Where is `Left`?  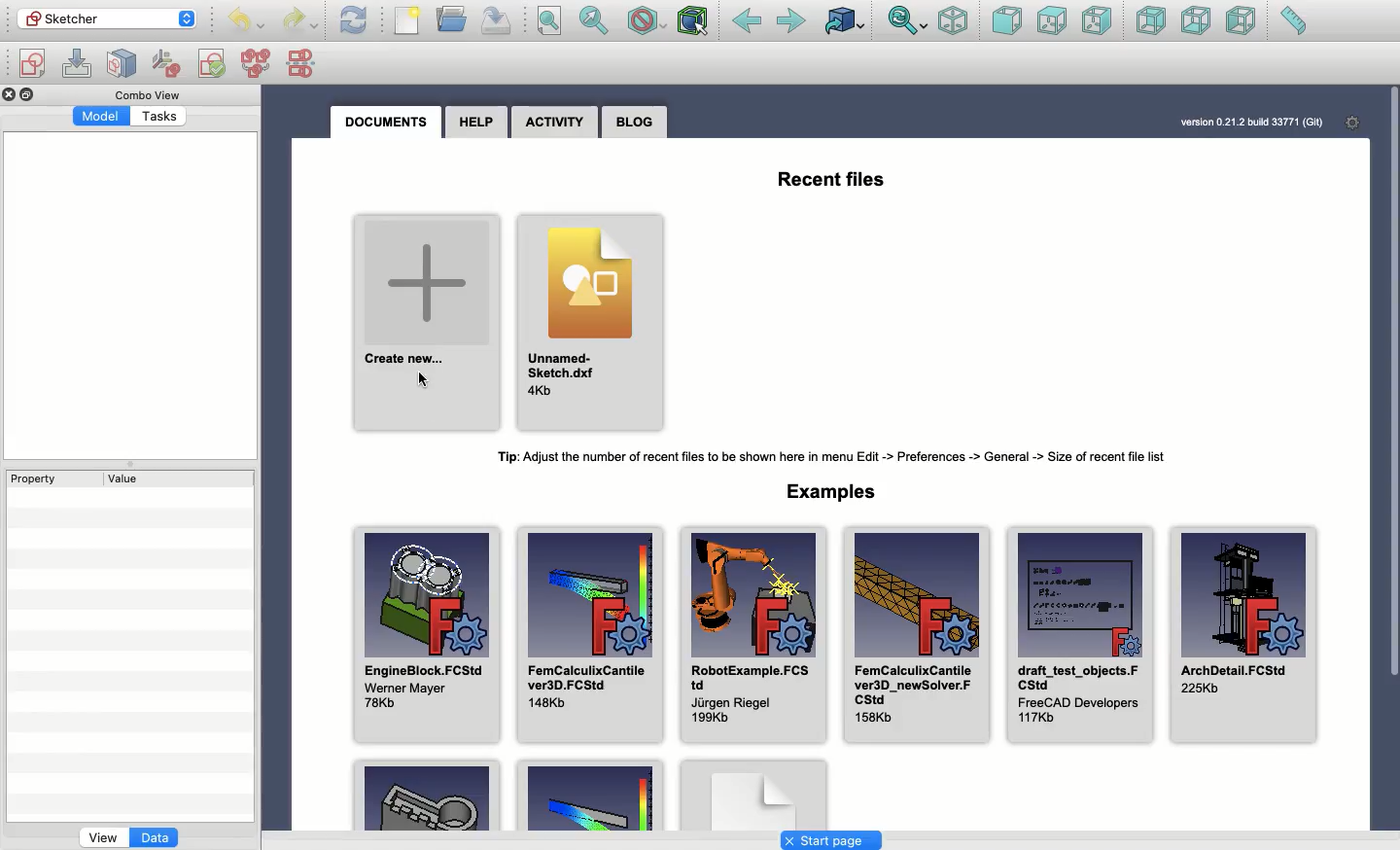
Left is located at coordinates (1241, 20).